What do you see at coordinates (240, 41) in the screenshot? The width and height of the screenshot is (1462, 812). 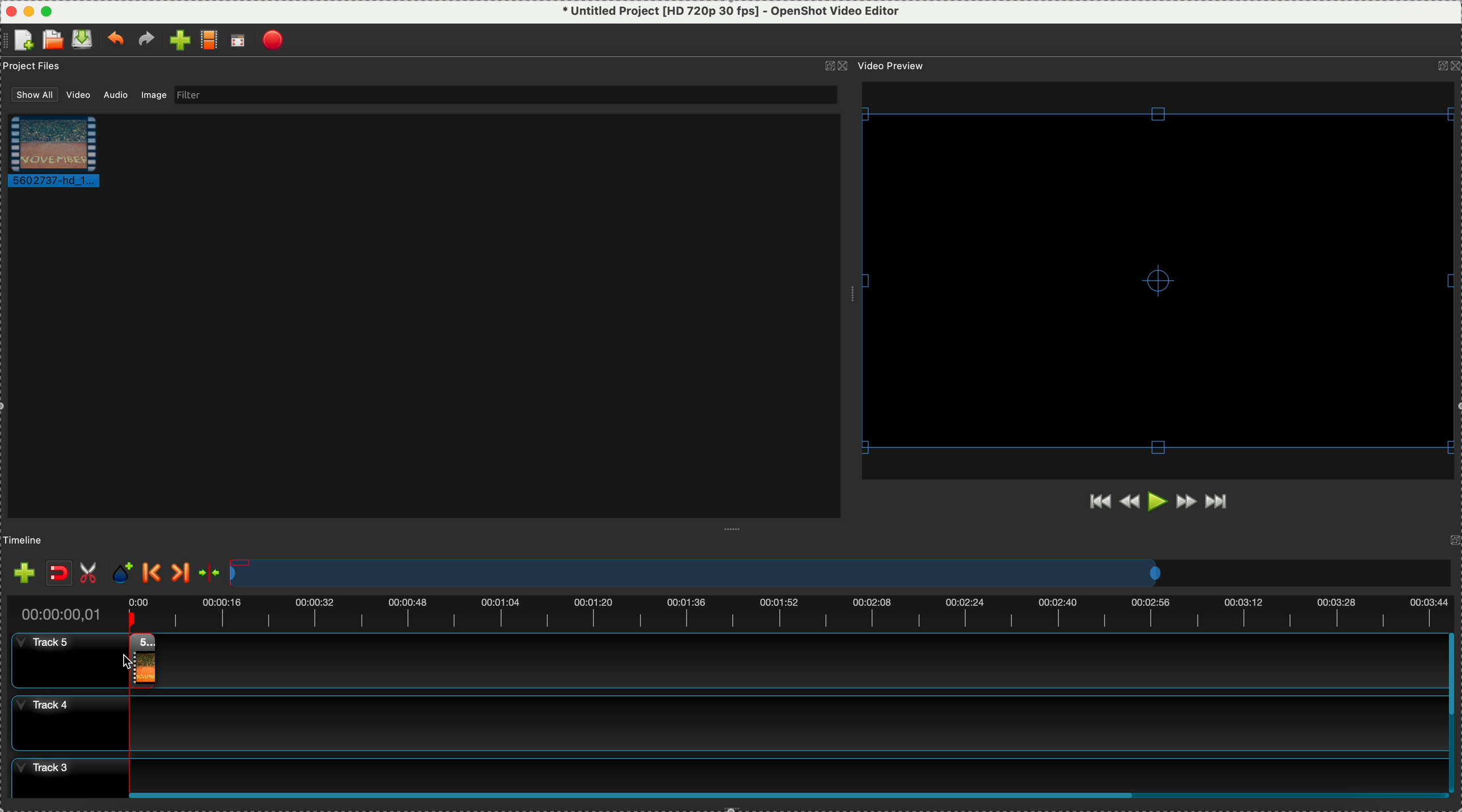 I see `full screen` at bounding box center [240, 41].